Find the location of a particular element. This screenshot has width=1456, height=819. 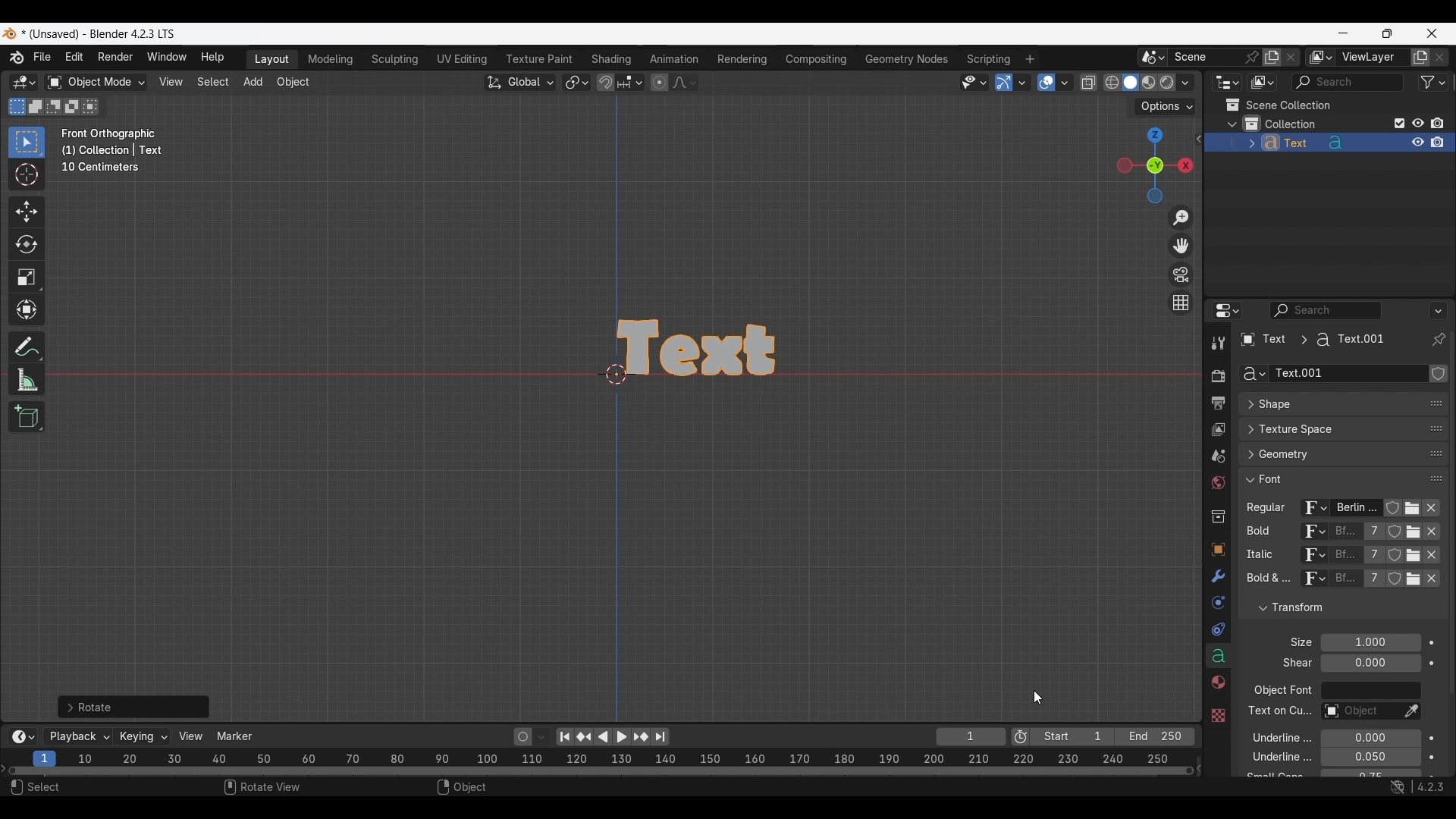

Set a new selection is located at coordinates (17, 106).